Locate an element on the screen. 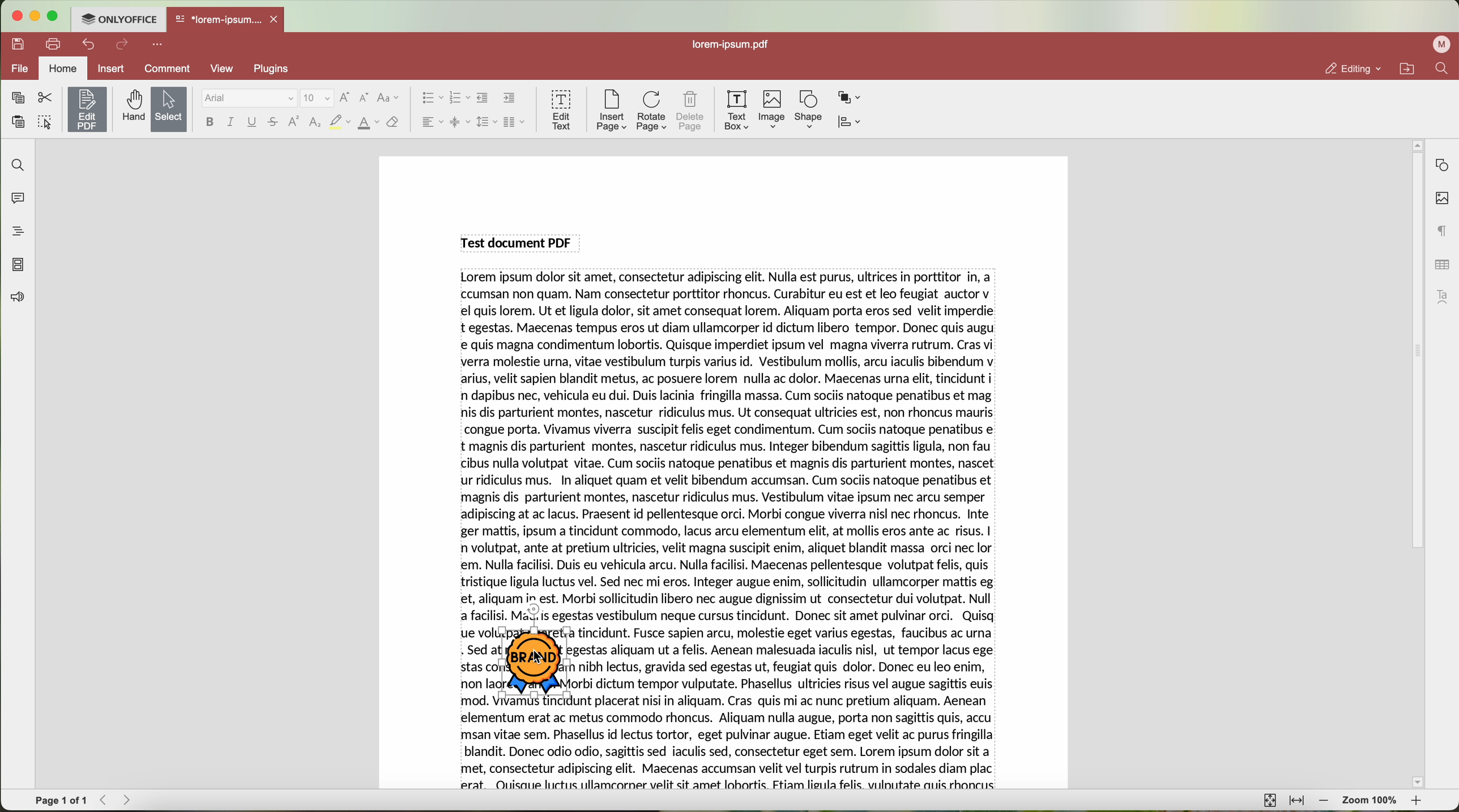  rotate page is located at coordinates (652, 112).